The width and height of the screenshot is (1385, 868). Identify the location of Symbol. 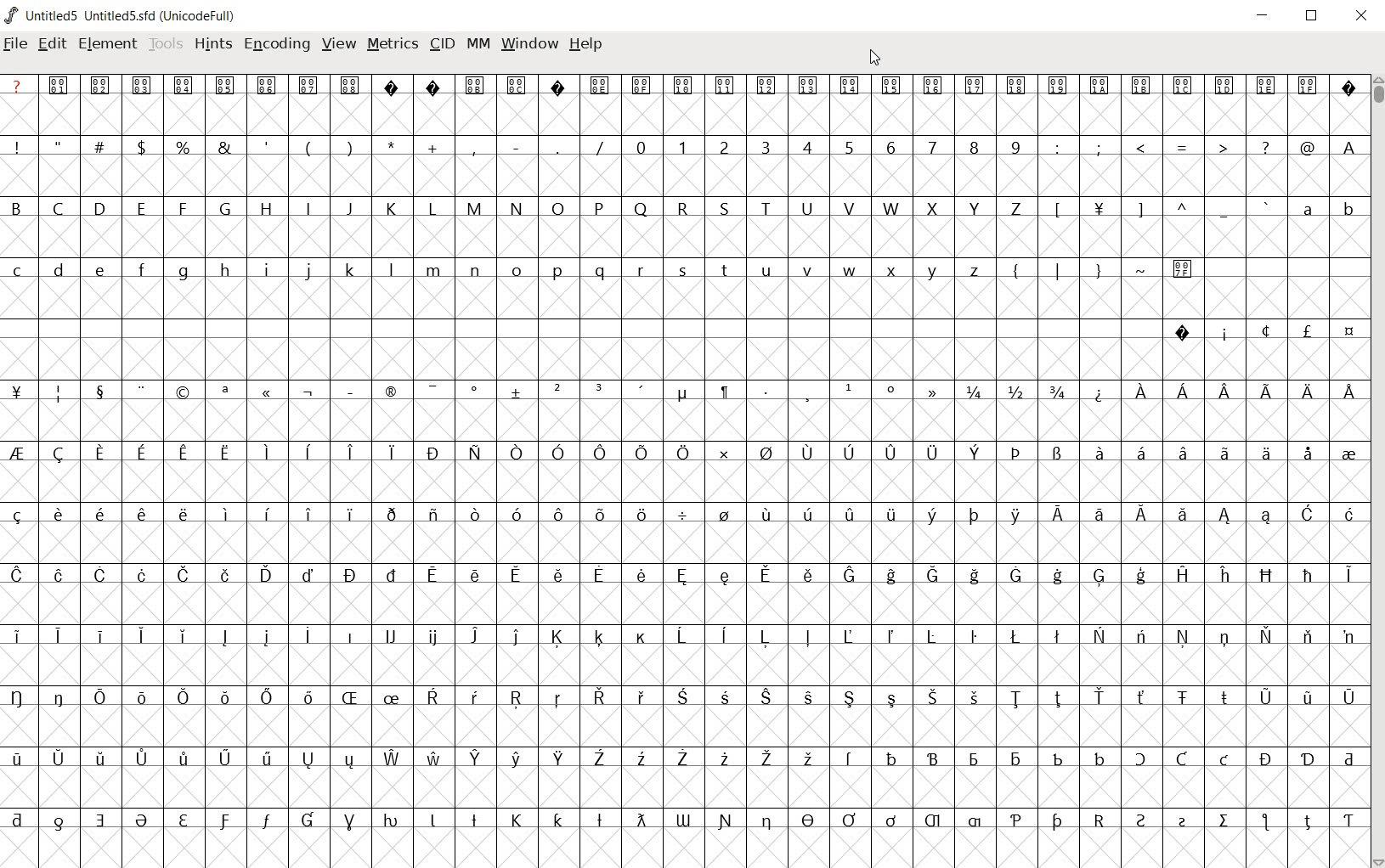
(20, 515).